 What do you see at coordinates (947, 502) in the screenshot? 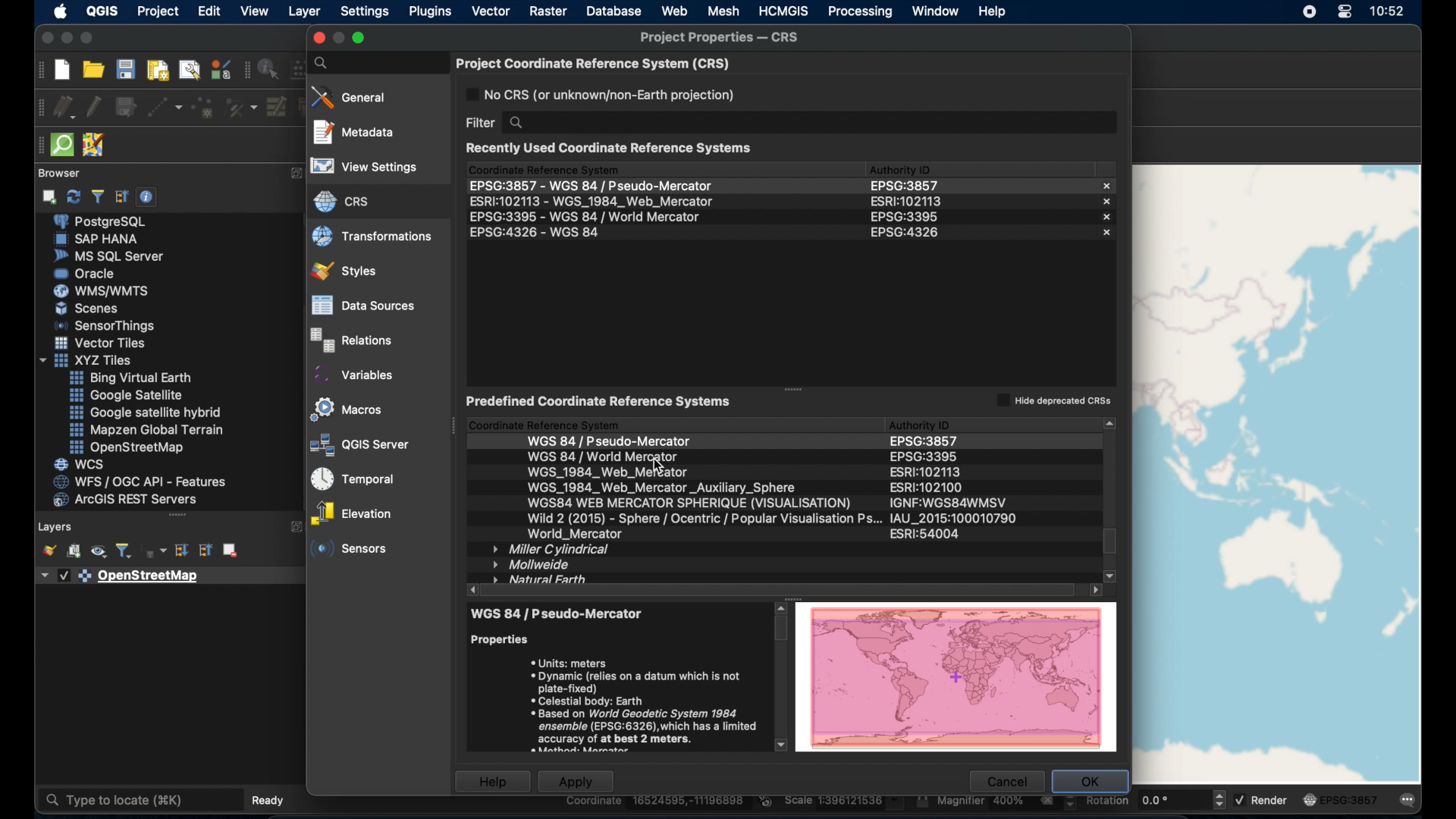
I see `authority id` at bounding box center [947, 502].